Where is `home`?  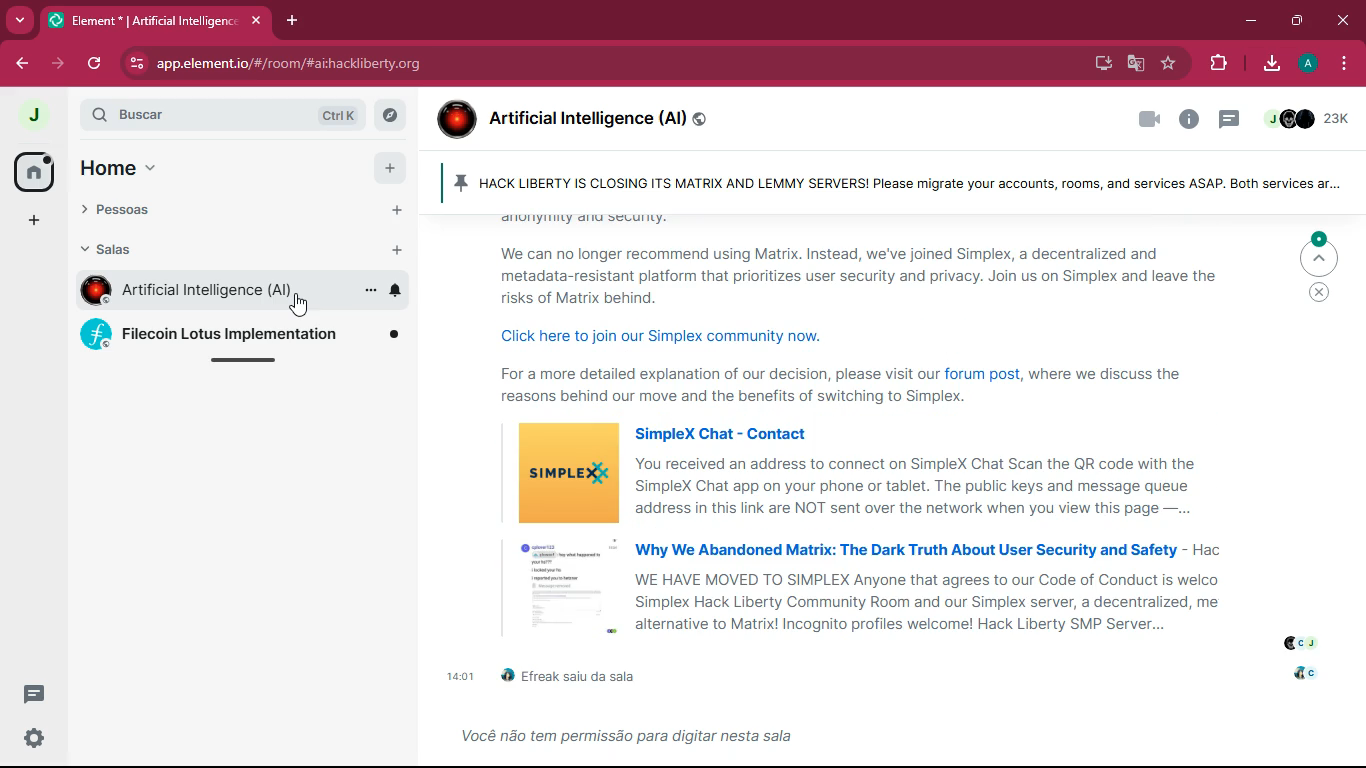 home is located at coordinates (126, 167).